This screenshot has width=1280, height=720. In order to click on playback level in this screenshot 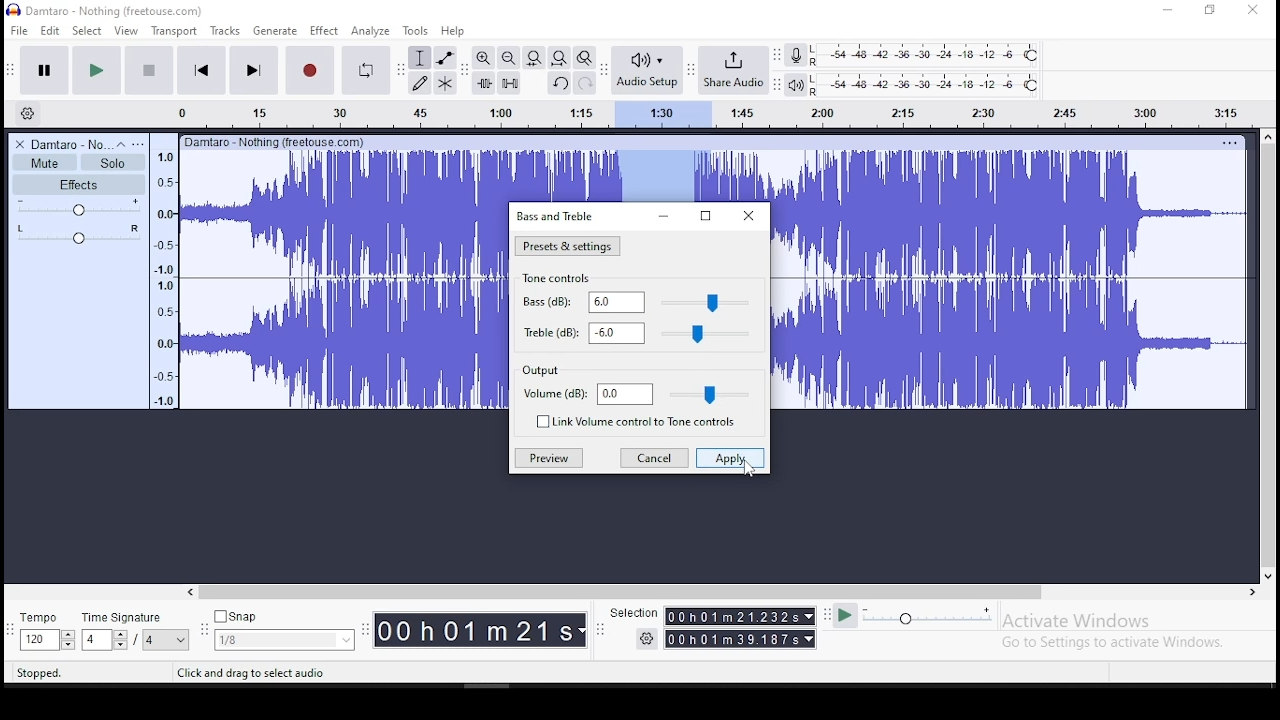, I will do `click(926, 85)`.